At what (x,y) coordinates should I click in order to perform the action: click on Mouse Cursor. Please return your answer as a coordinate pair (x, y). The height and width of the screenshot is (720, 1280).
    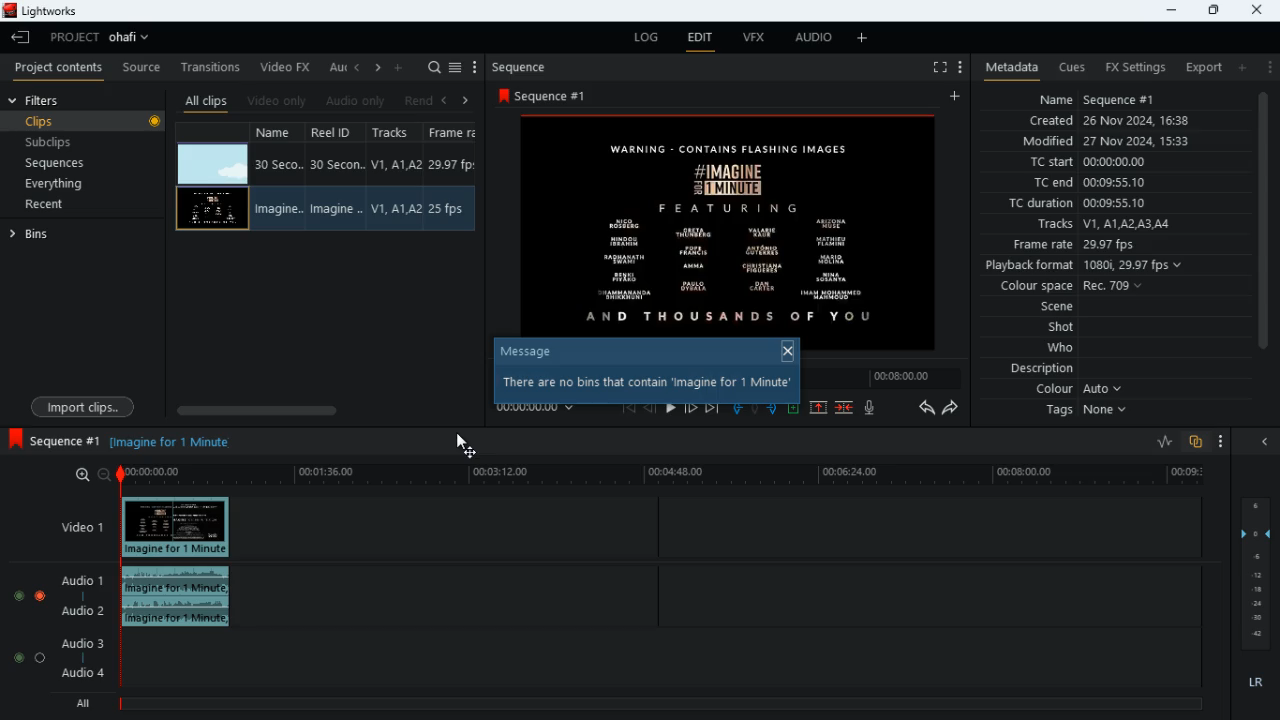
    Looking at the image, I should click on (462, 443).